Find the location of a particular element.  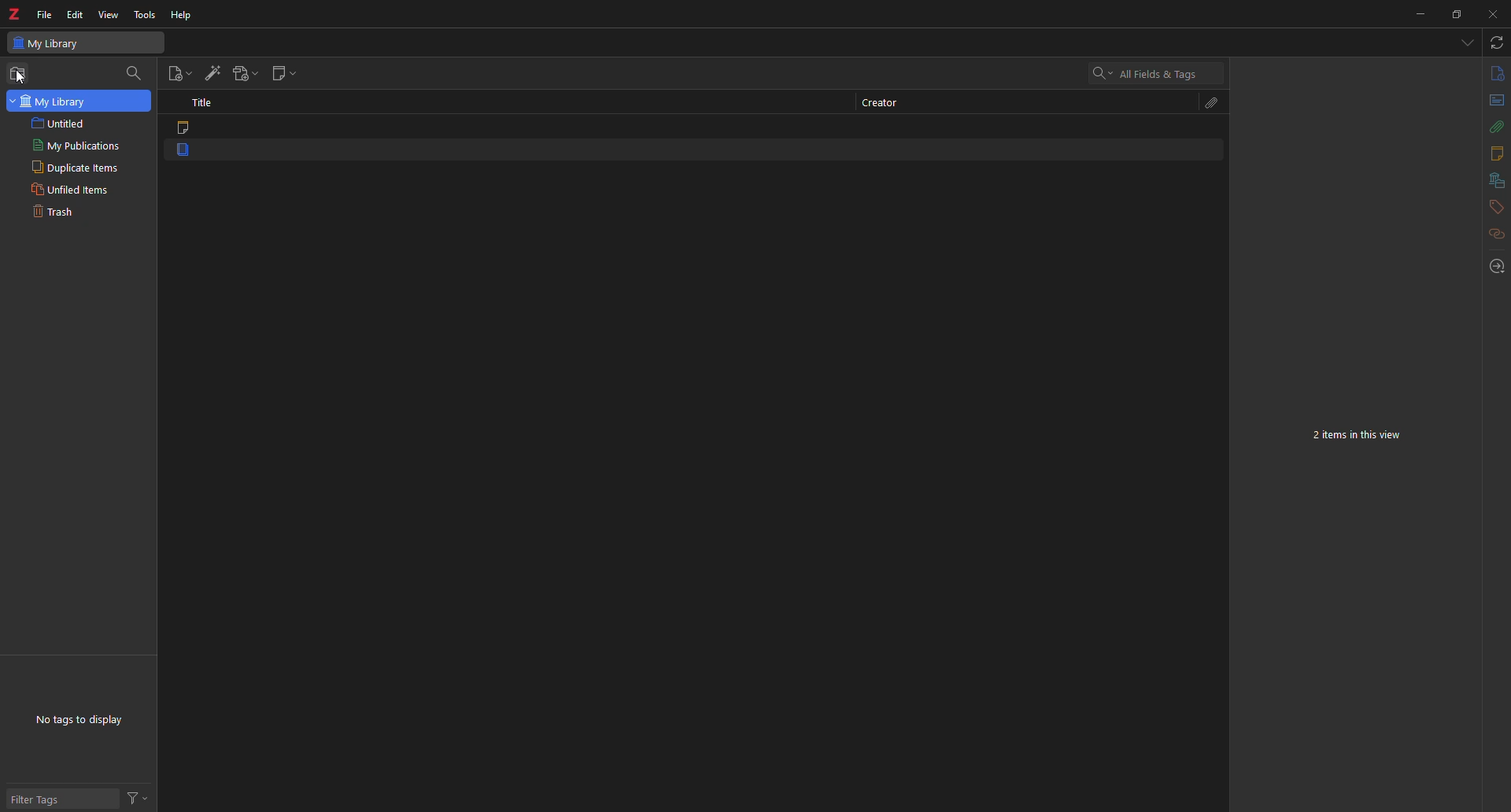

abstract is located at coordinates (1492, 102).